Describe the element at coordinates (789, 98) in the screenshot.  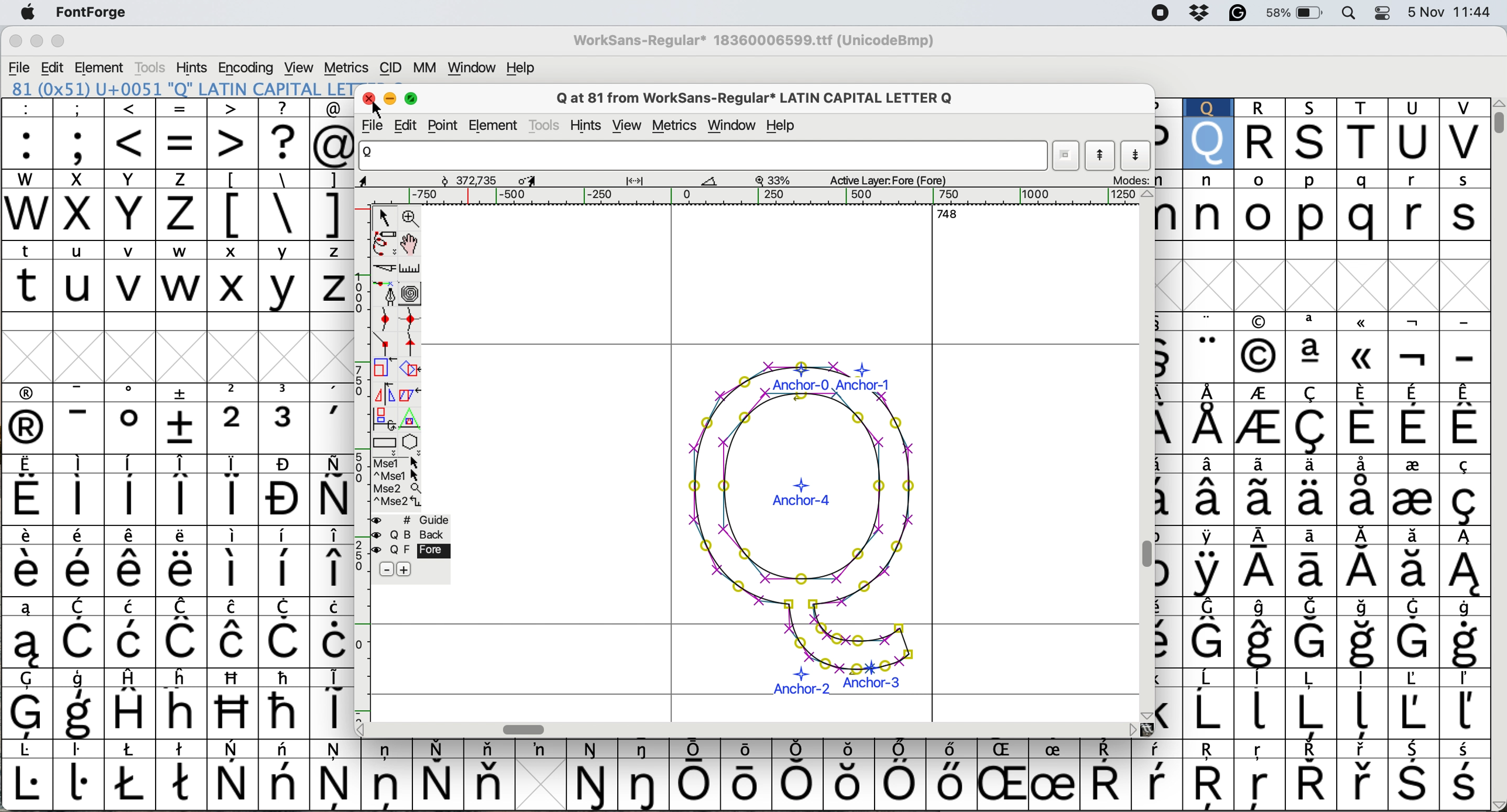
I see `Q at 81 from WorkSans-Regular* LATIN CAPITAL LETTER Q` at that location.